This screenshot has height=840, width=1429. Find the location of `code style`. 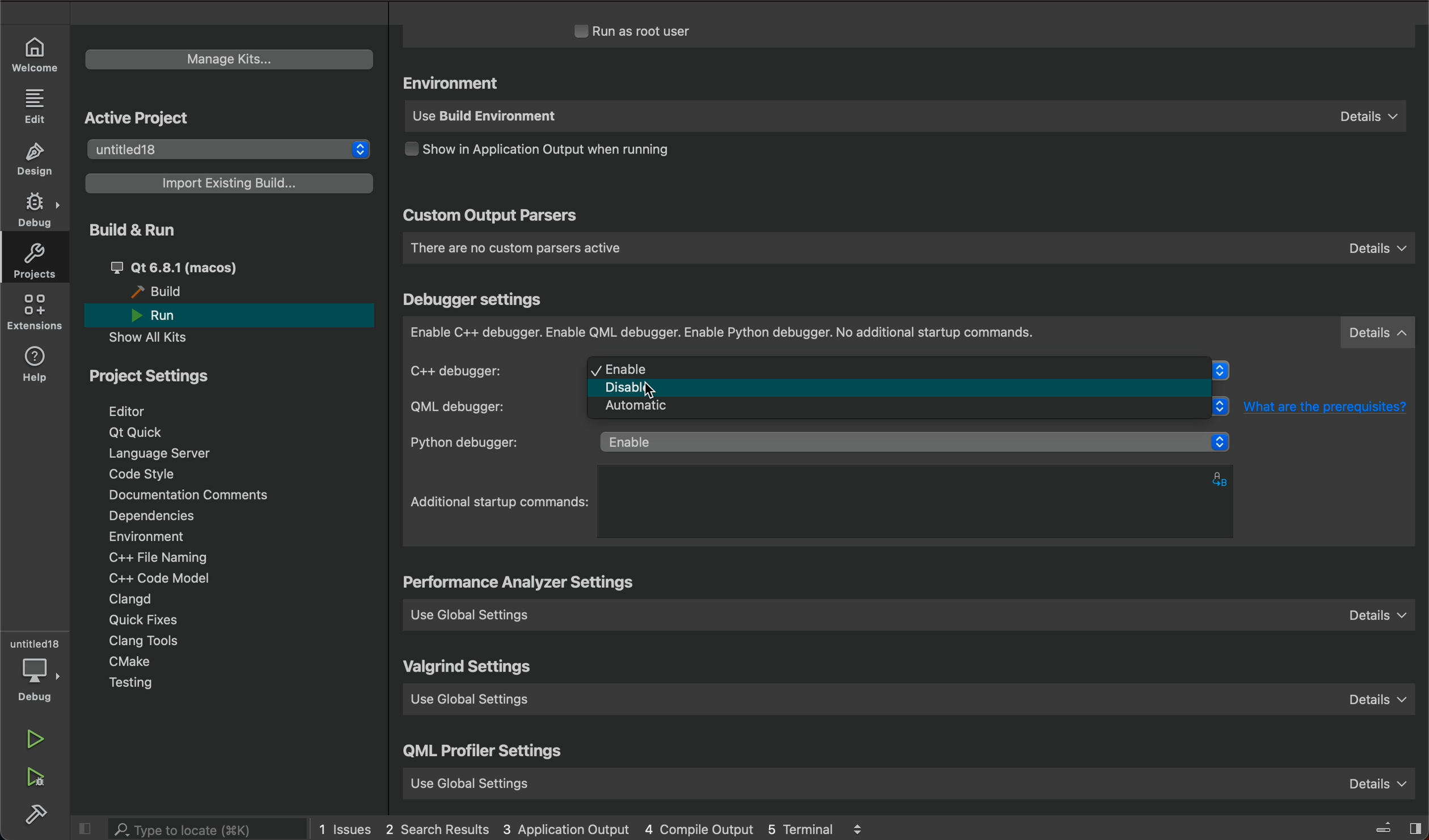

code style is located at coordinates (144, 476).